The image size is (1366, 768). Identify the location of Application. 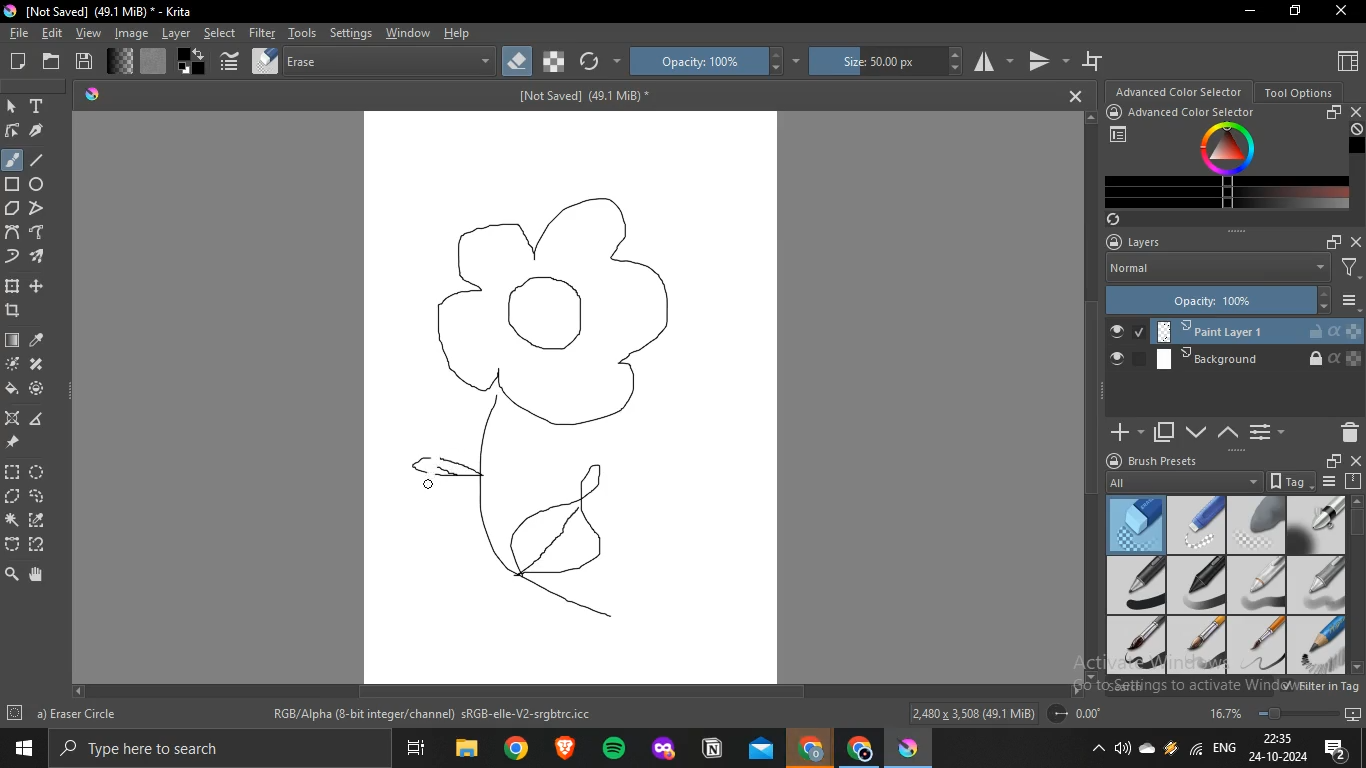
(463, 749).